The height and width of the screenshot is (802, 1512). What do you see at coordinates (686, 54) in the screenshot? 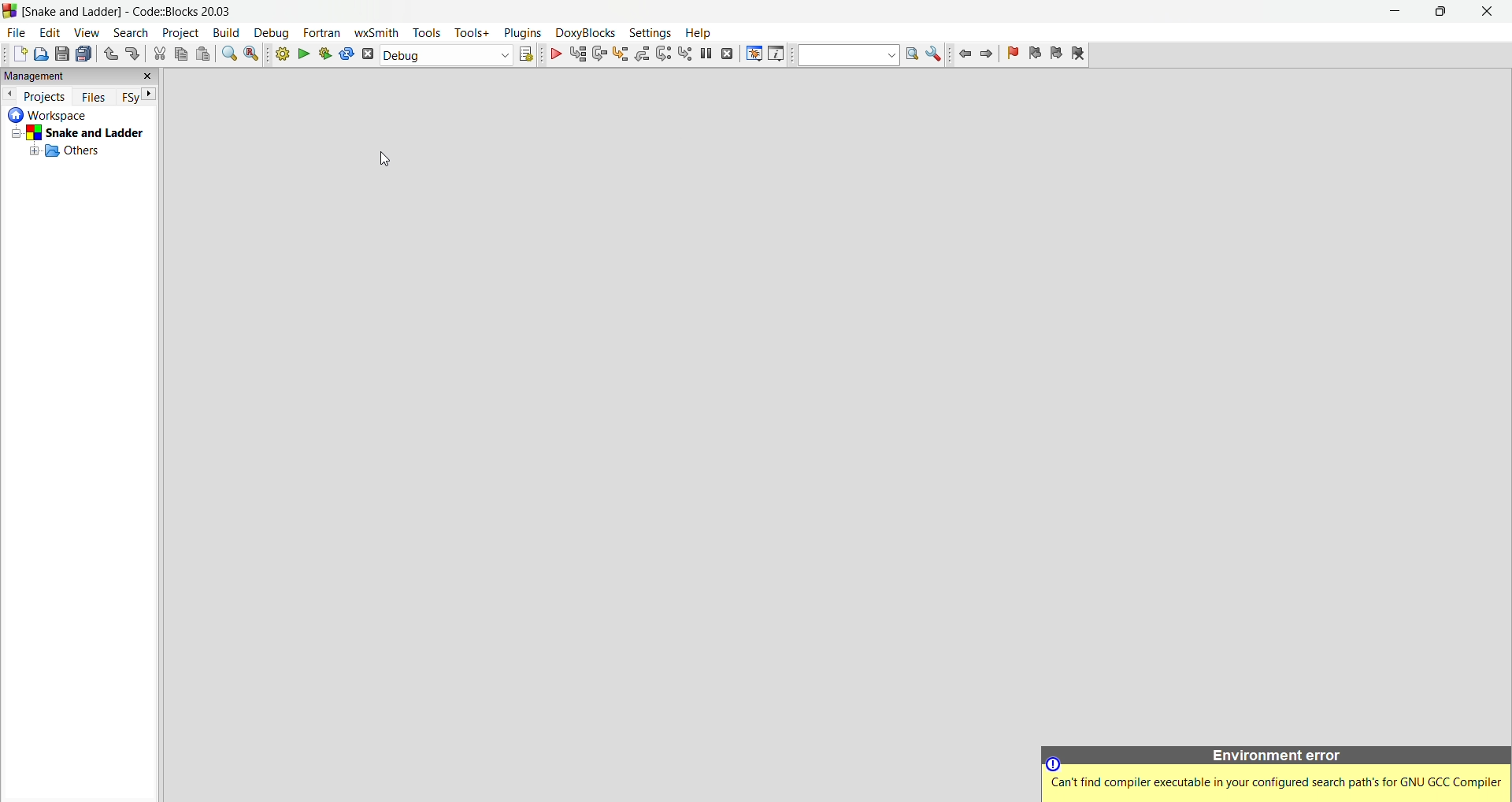
I see `step into instructions` at bounding box center [686, 54].